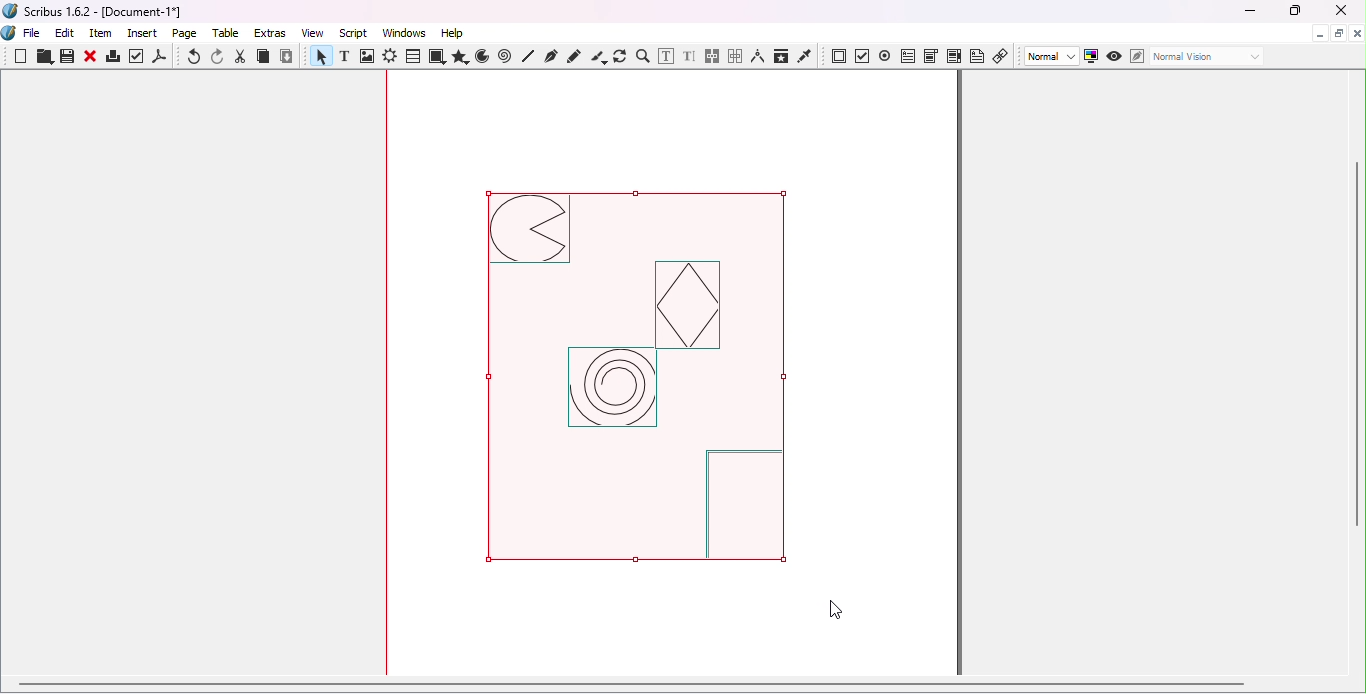  What do you see at coordinates (273, 33) in the screenshot?
I see `Extras` at bounding box center [273, 33].